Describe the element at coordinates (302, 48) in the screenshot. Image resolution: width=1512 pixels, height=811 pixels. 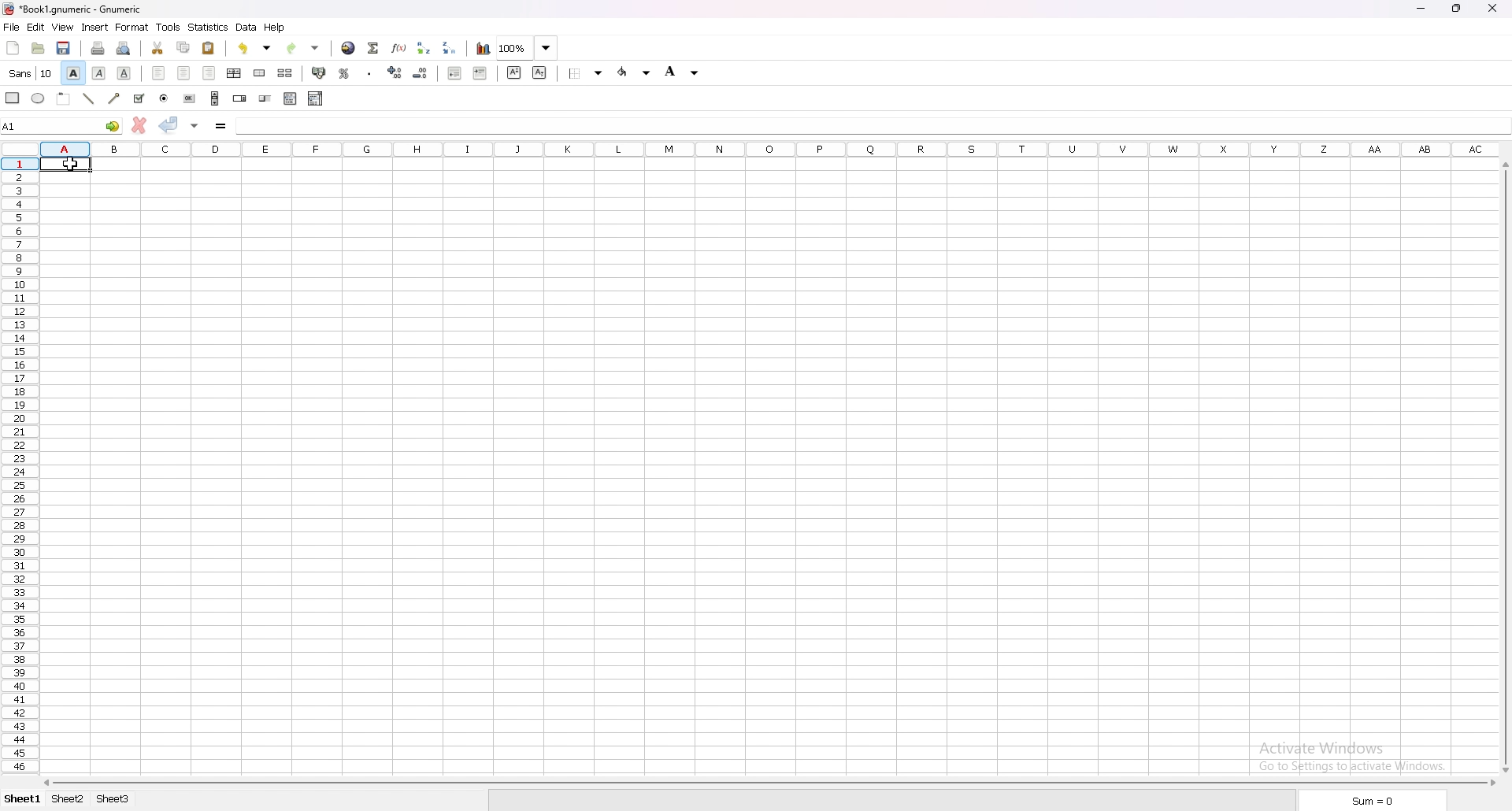
I see `redo` at that location.